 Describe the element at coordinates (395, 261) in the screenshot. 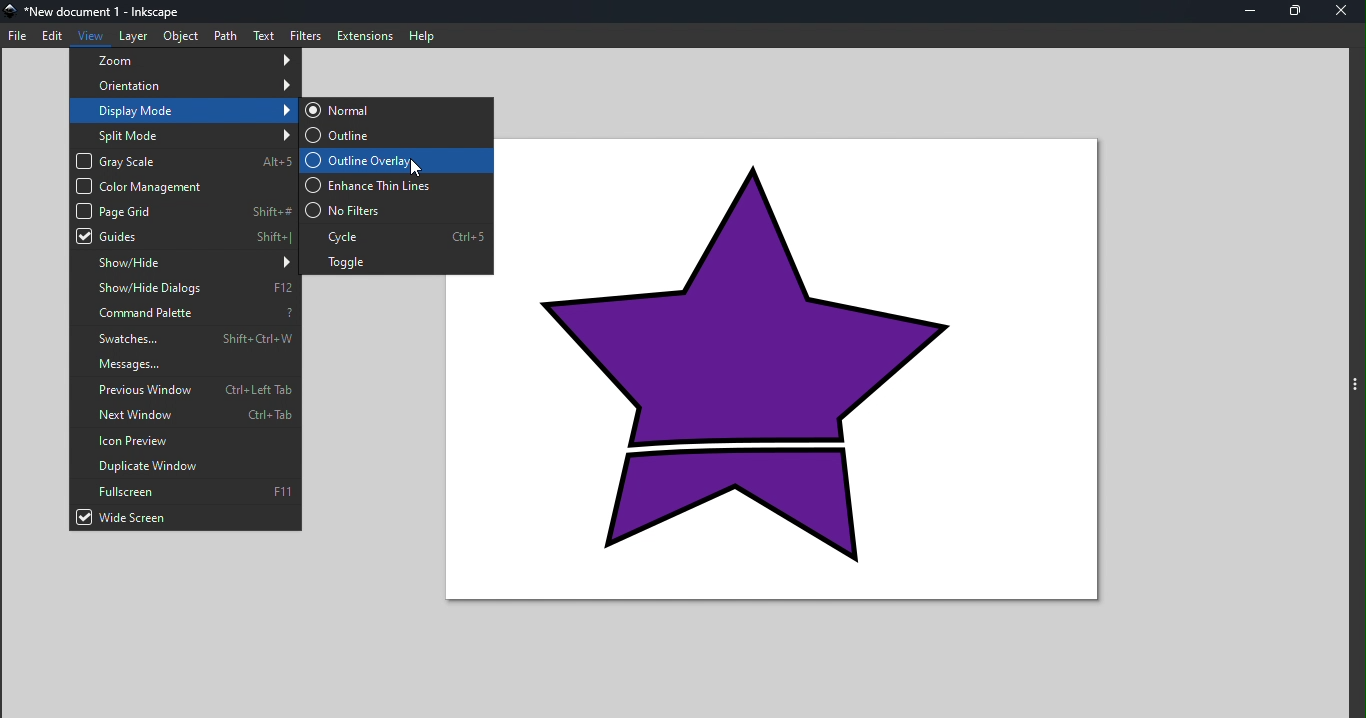

I see `Toggle` at that location.